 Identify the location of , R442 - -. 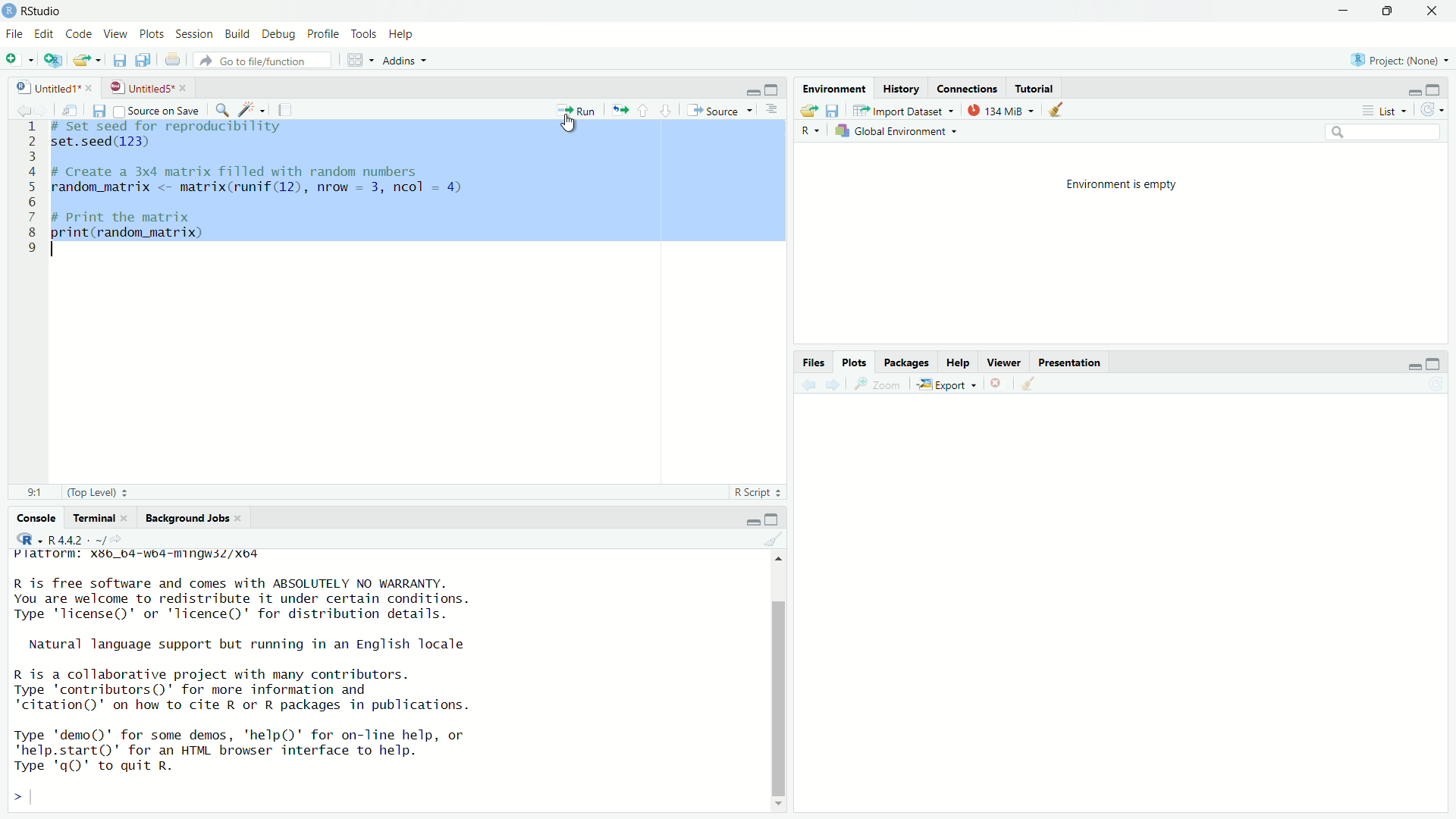
(77, 538).